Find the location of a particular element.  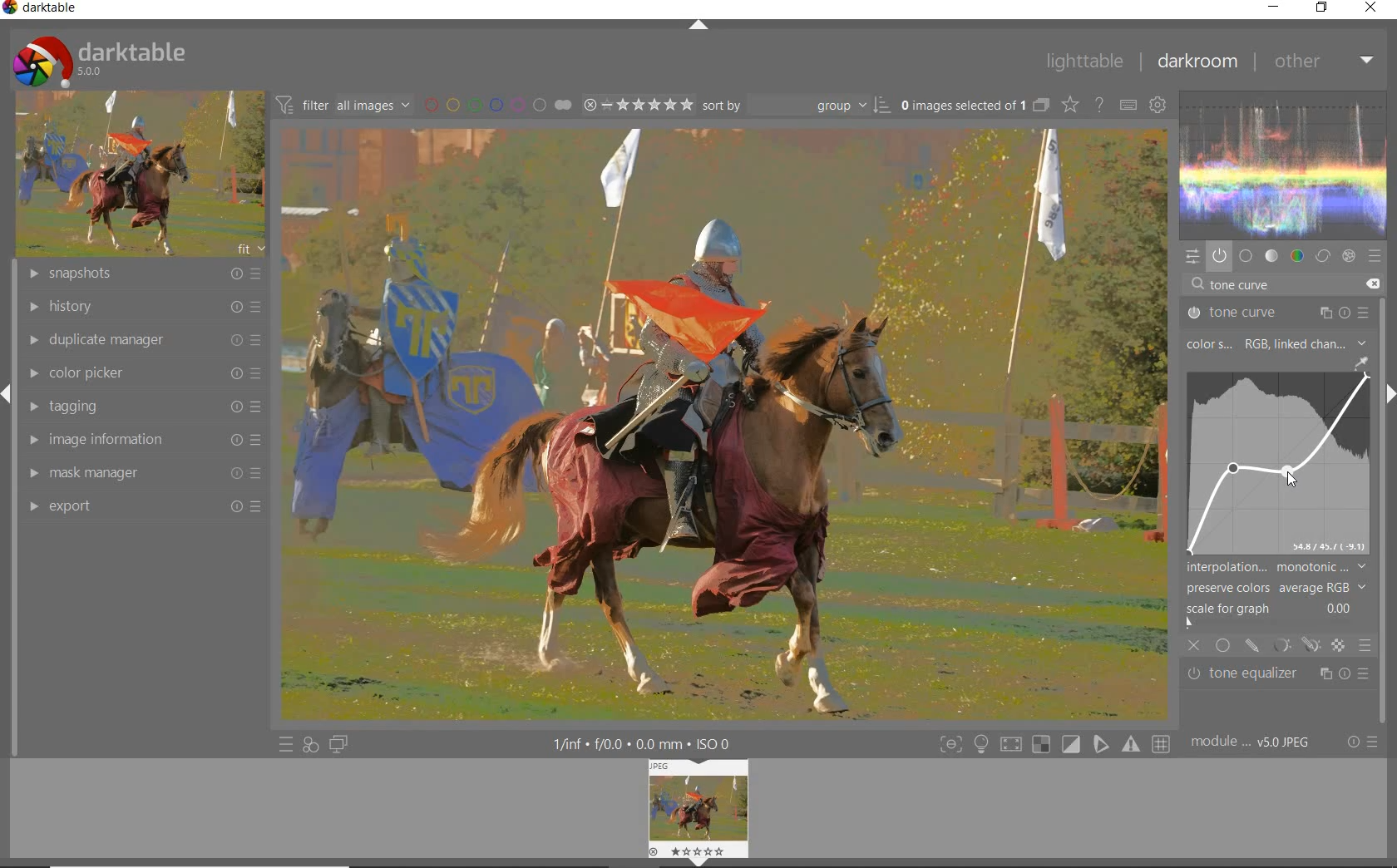

uniformly is located at coordinates (1224, 645).